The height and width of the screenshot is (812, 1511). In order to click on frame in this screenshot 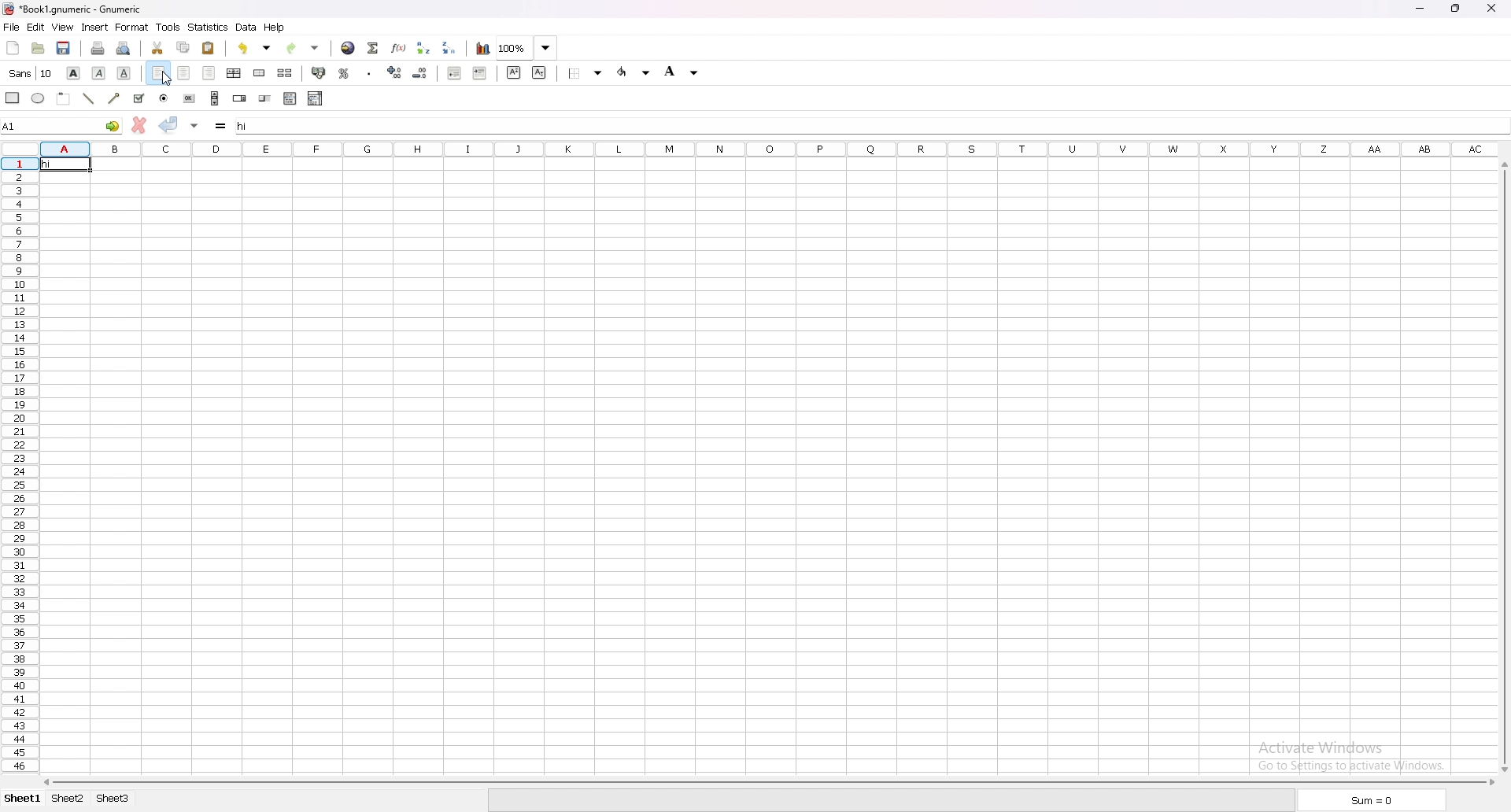, I will do `click(64, 98)`.